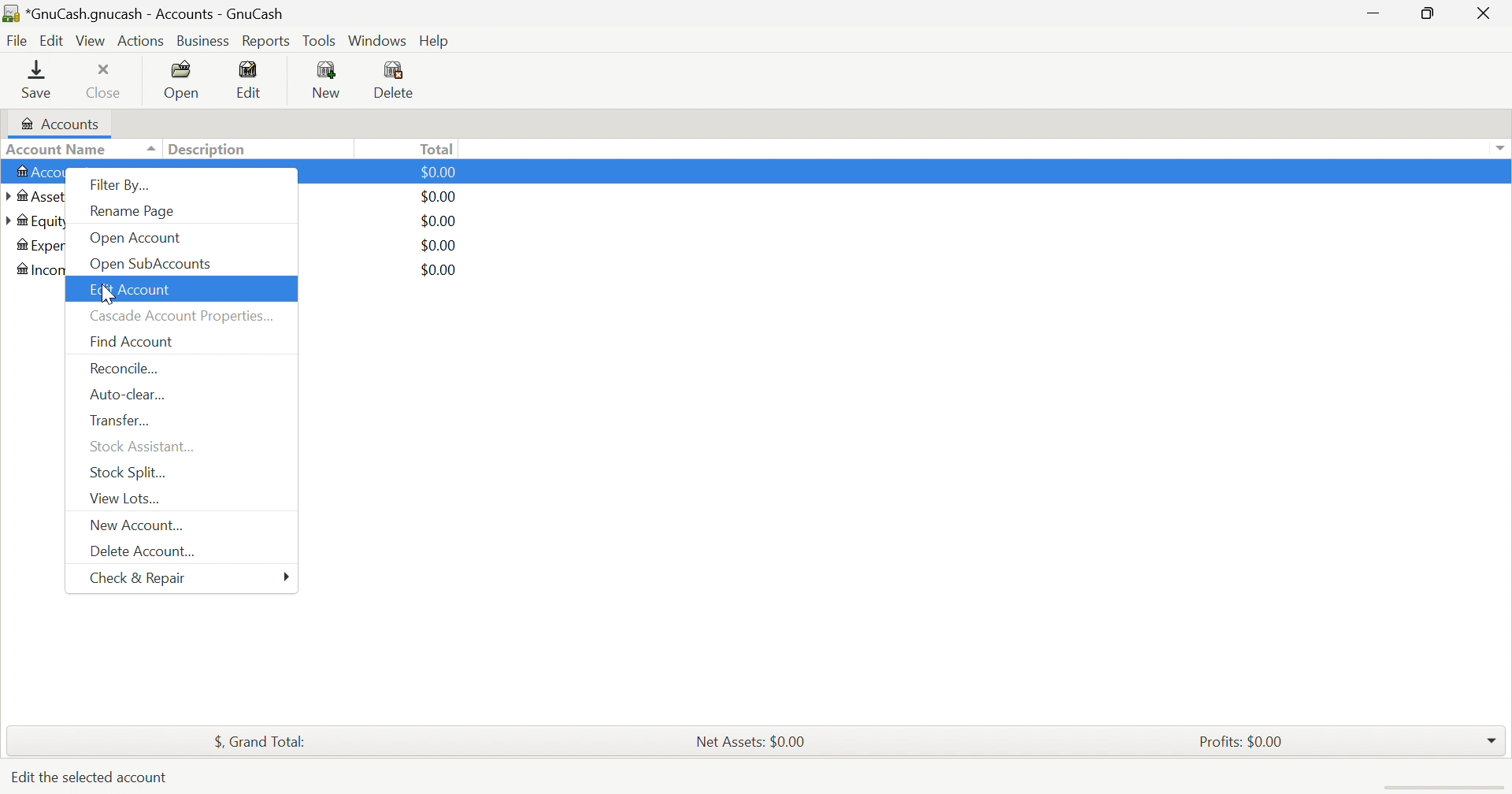  Describe the element at coordinates (119, 185) in the screenshot. I see `Filter By...` at that location.